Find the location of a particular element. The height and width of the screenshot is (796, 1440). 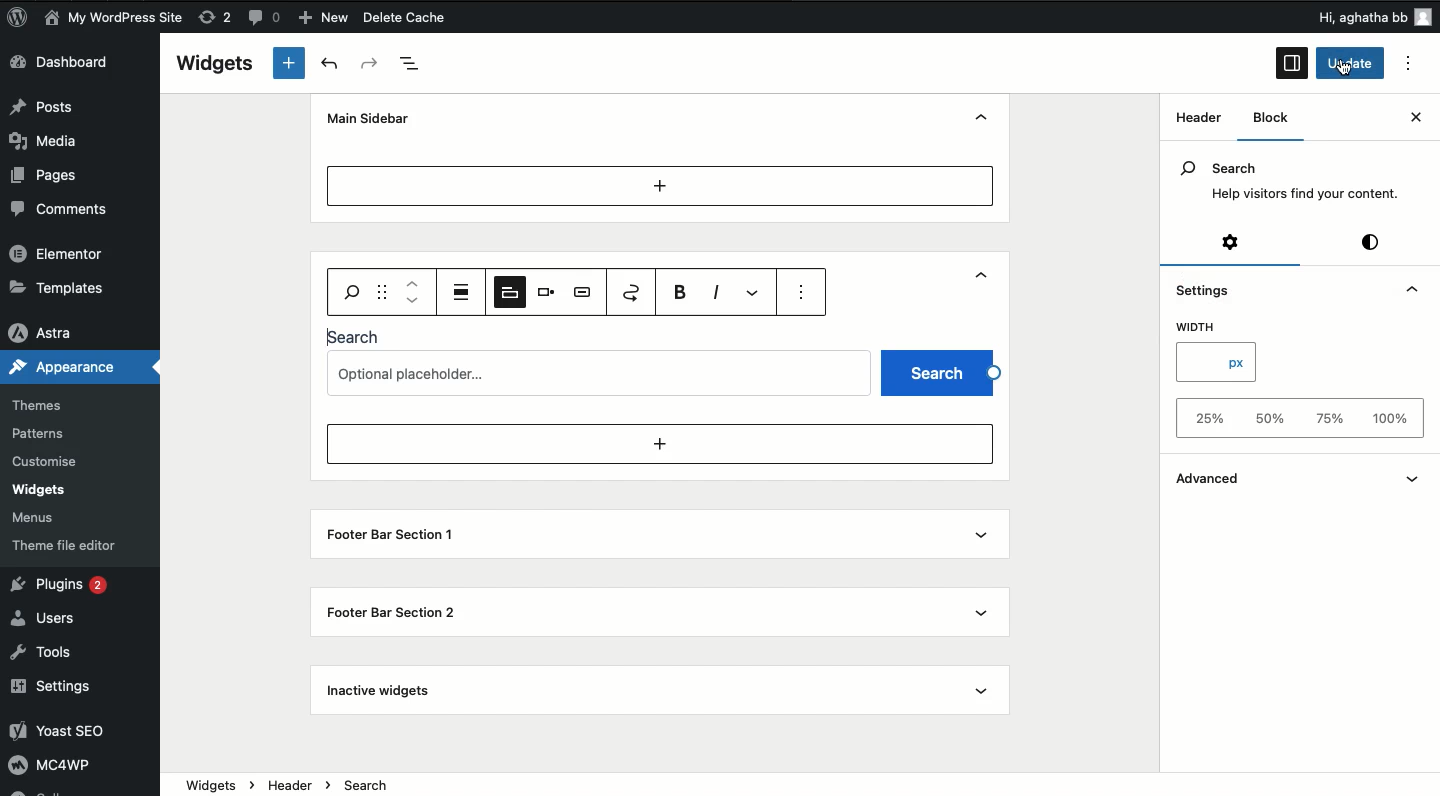

Tools is located at coordinates (50, 653).